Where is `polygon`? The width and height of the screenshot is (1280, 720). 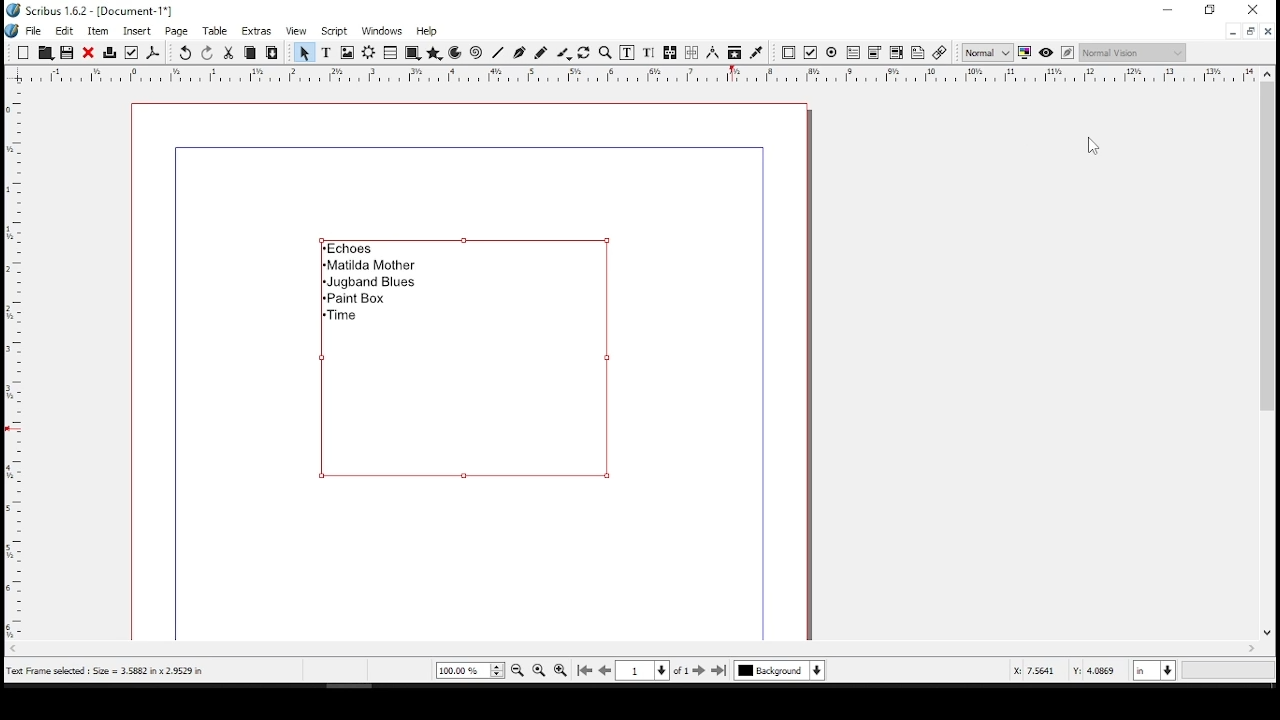
polygon is located at coordinates (435, 54).